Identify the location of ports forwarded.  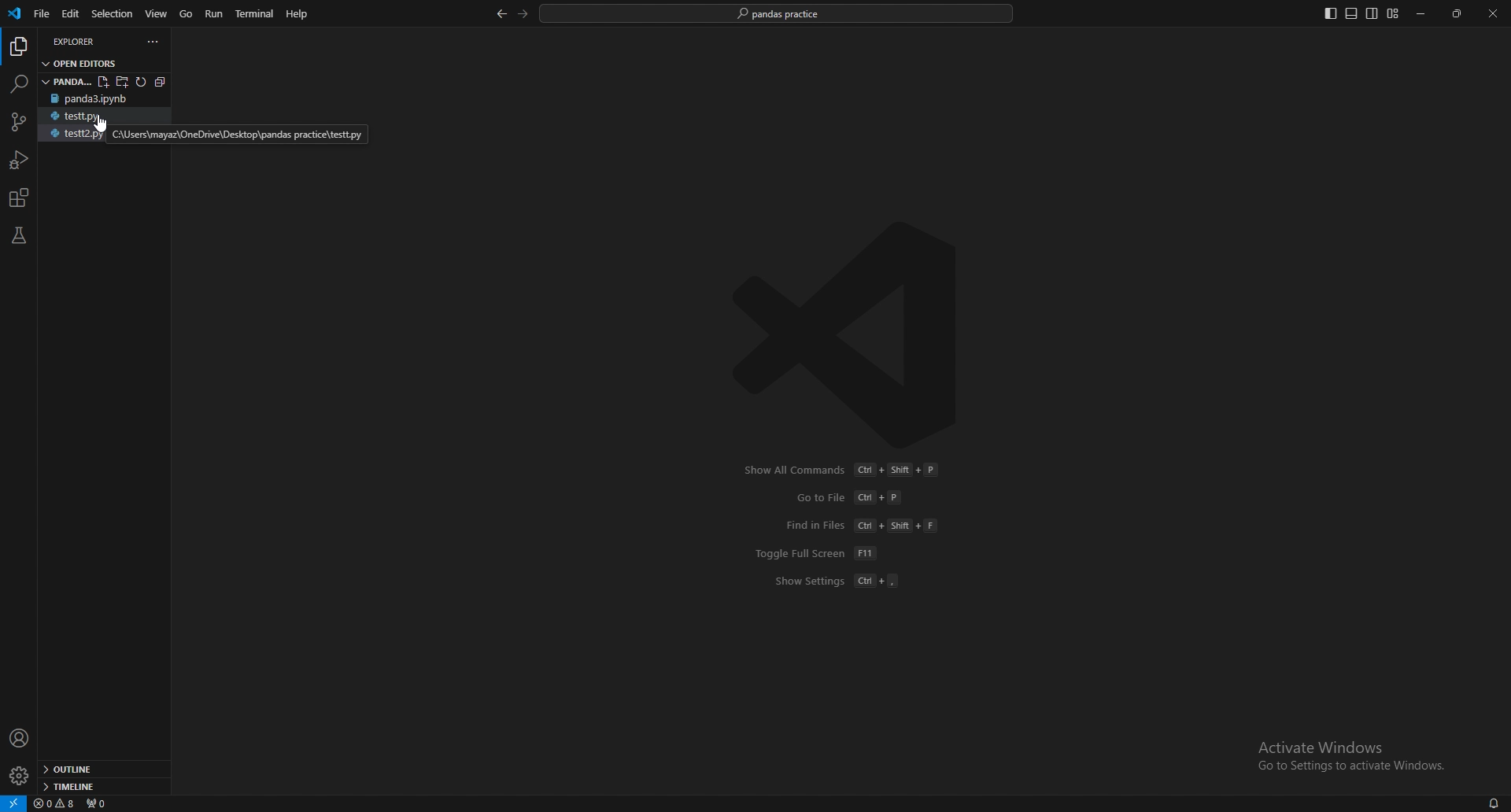
(95, 802).